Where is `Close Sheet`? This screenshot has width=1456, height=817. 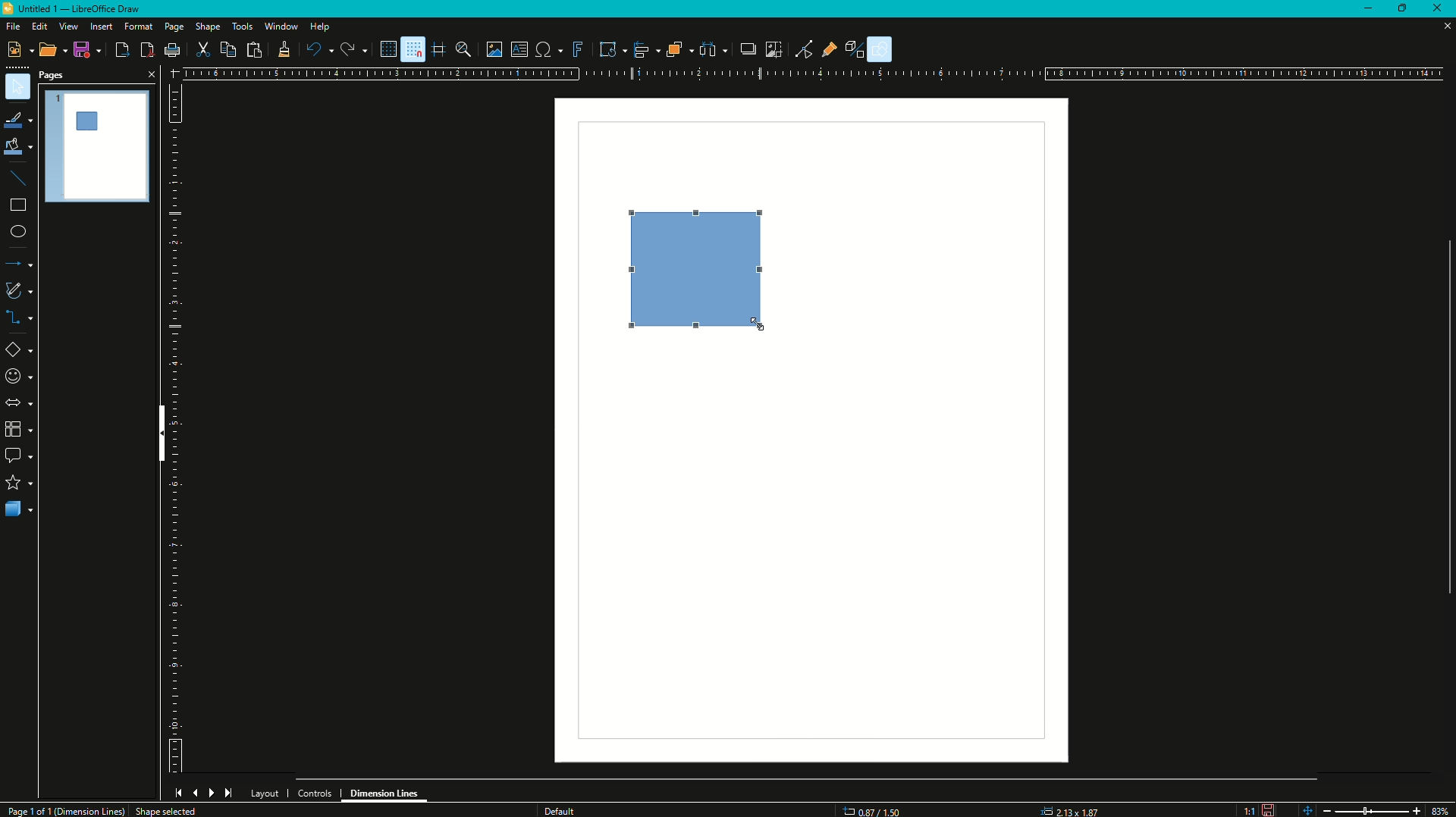
Close Sheet is located at coordinates (1441, 28).